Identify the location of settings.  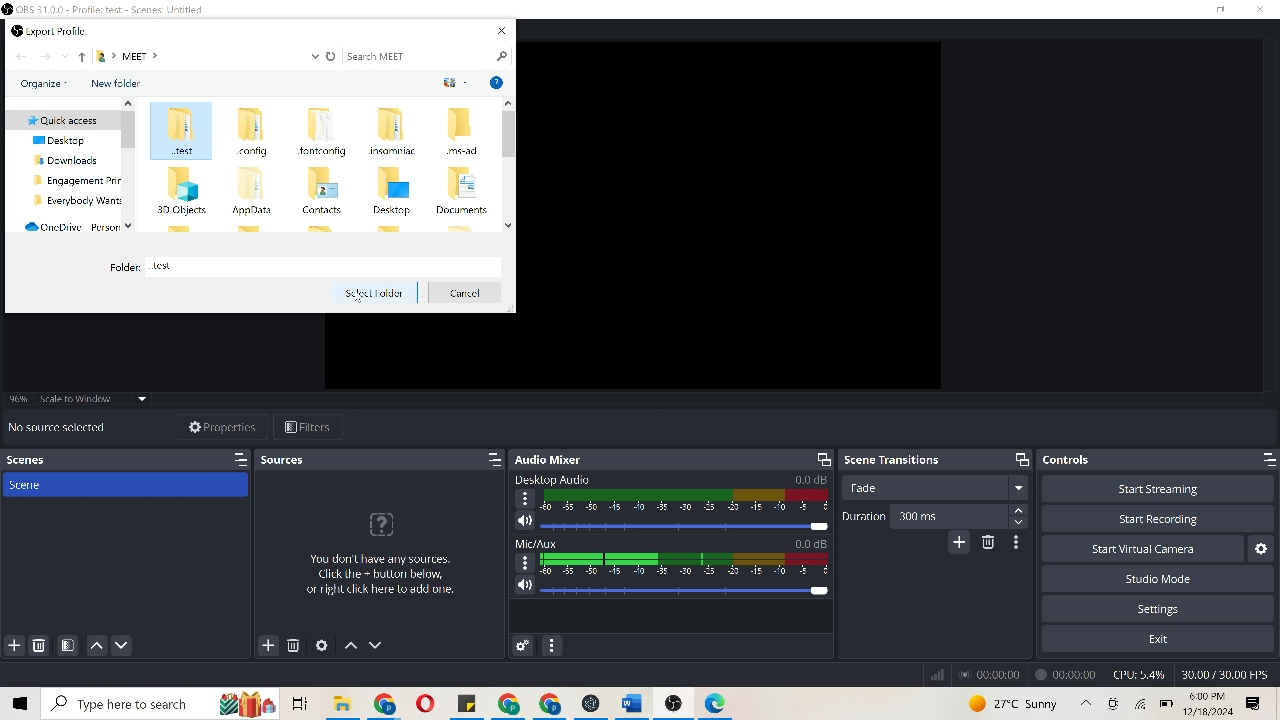
(1168, 609).